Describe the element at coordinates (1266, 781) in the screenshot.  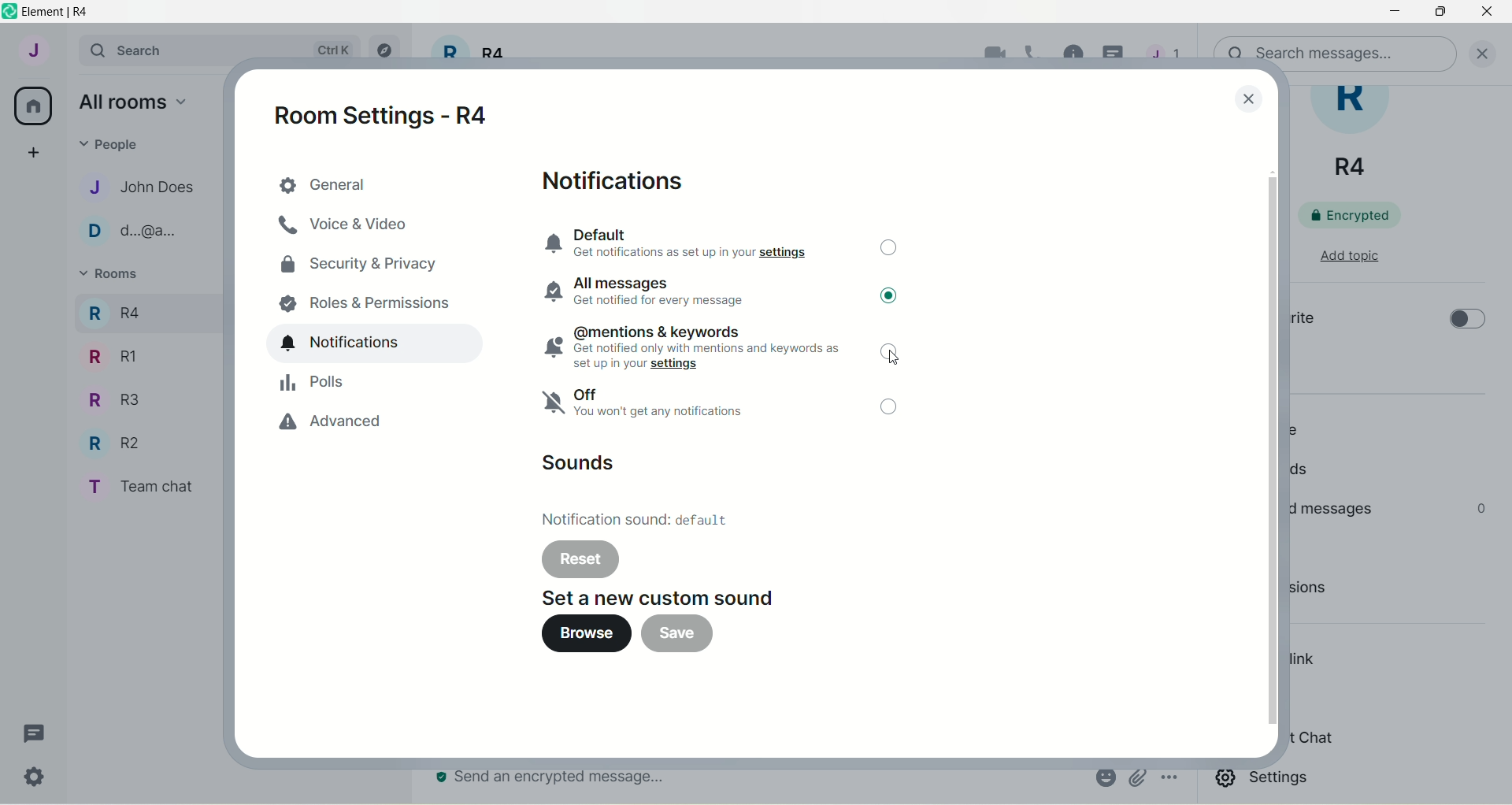
I see `settings` at that location.